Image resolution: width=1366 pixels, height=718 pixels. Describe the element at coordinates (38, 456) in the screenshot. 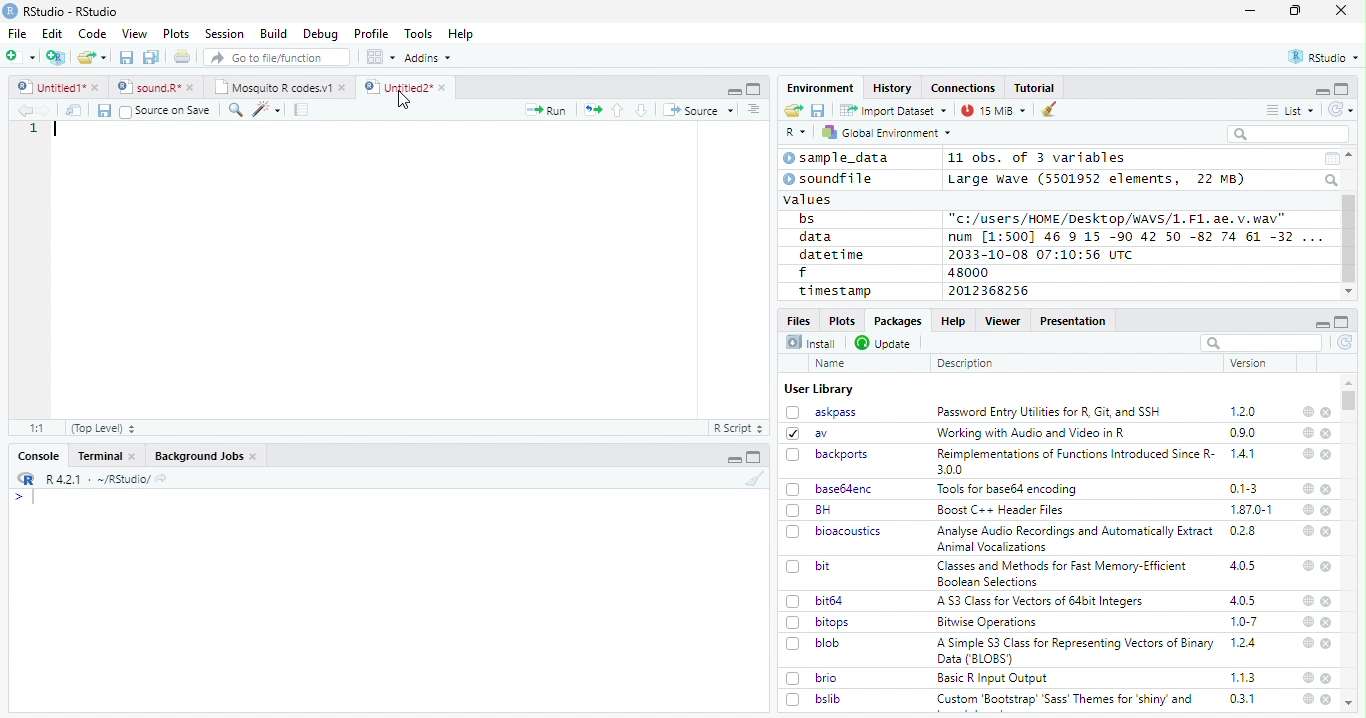

I see `Console` at that location.